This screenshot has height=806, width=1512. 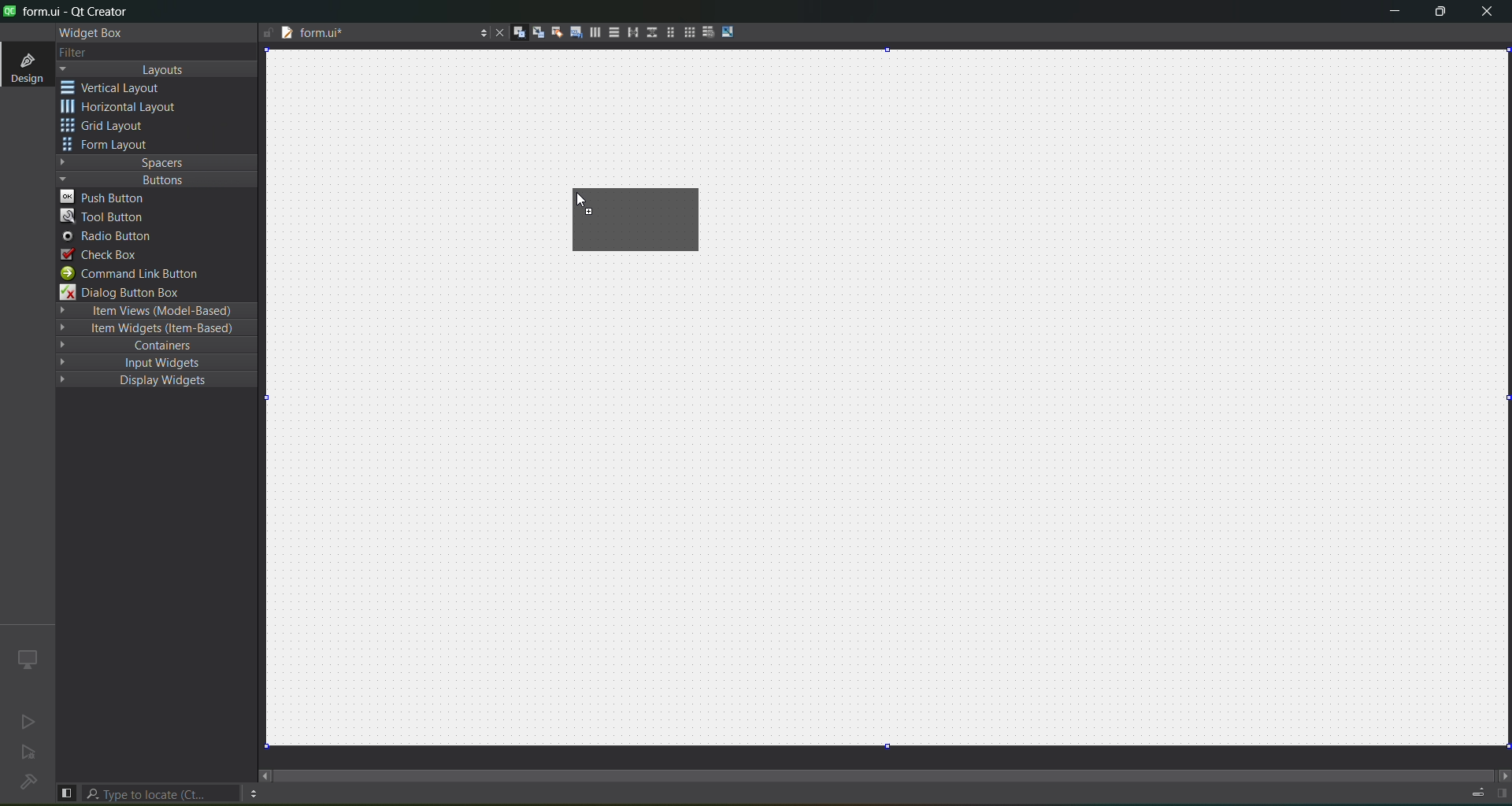 I want to click on radio button, so click(x=107, y=238).